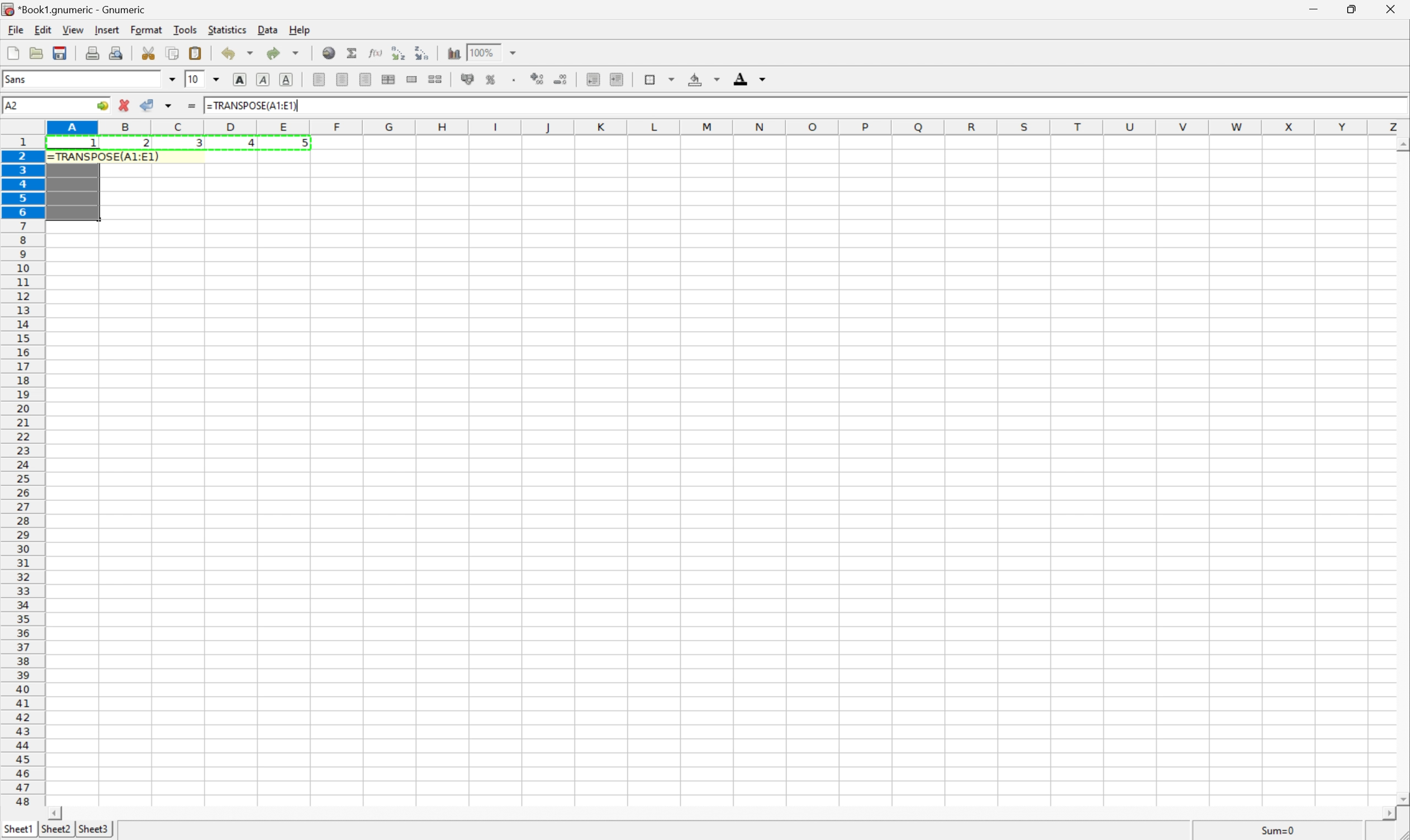 The height and width of the screenshot is (840, 1410). What do you see at coordinates (377, 54) in the screenshot?
I see `edit function in current cell` at bounding box center [377, 54].